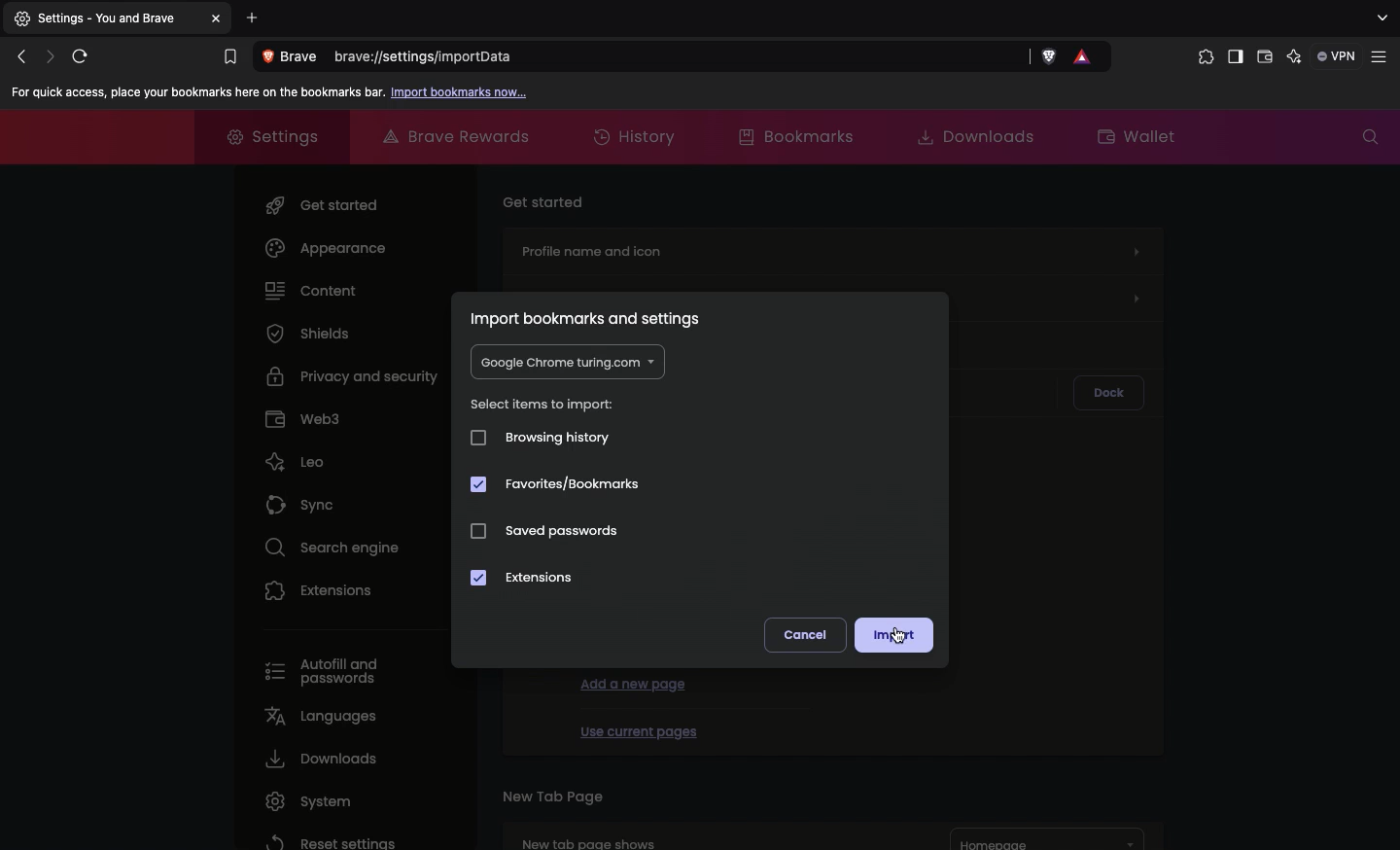 The width and height of the screenshot is (1400, 850). What do you see at coordinates (1202, 57) in the screenshot?
I see `Extensions` at bounding box center [1202, 57].